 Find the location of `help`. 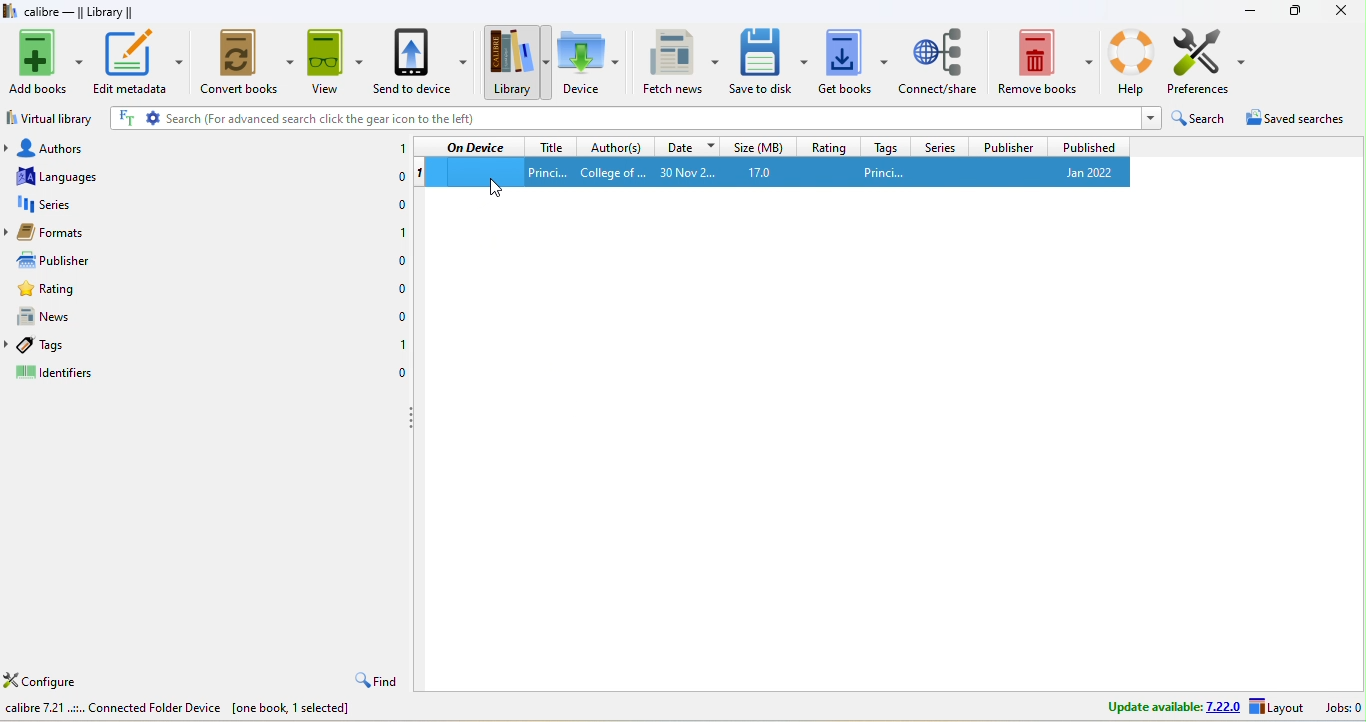

help is located at coordinates (1131, 59).